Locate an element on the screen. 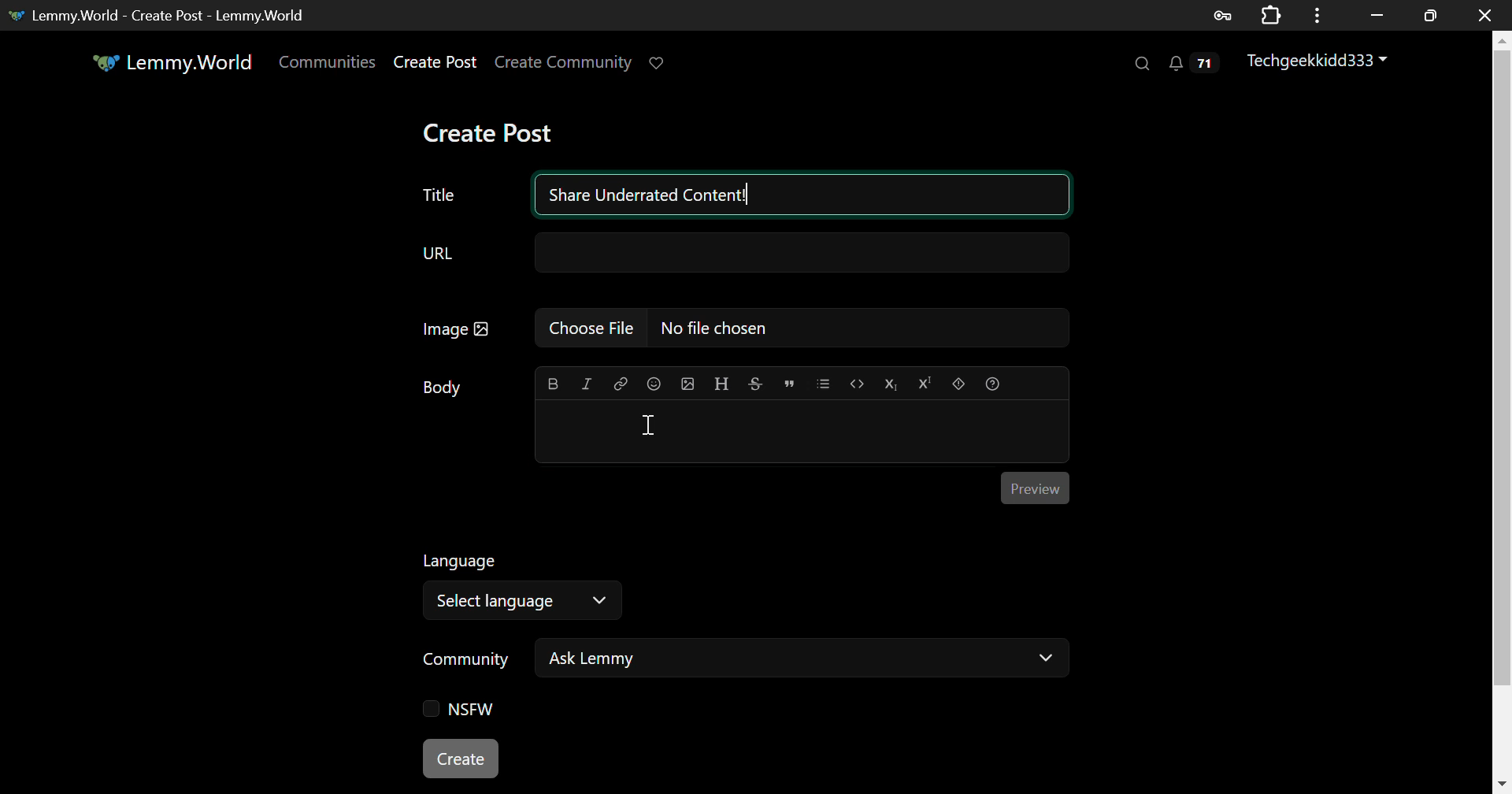 The width and height of the screenshot is (1512, 794). Saved Password Data is located at coordinates (1221, 16).